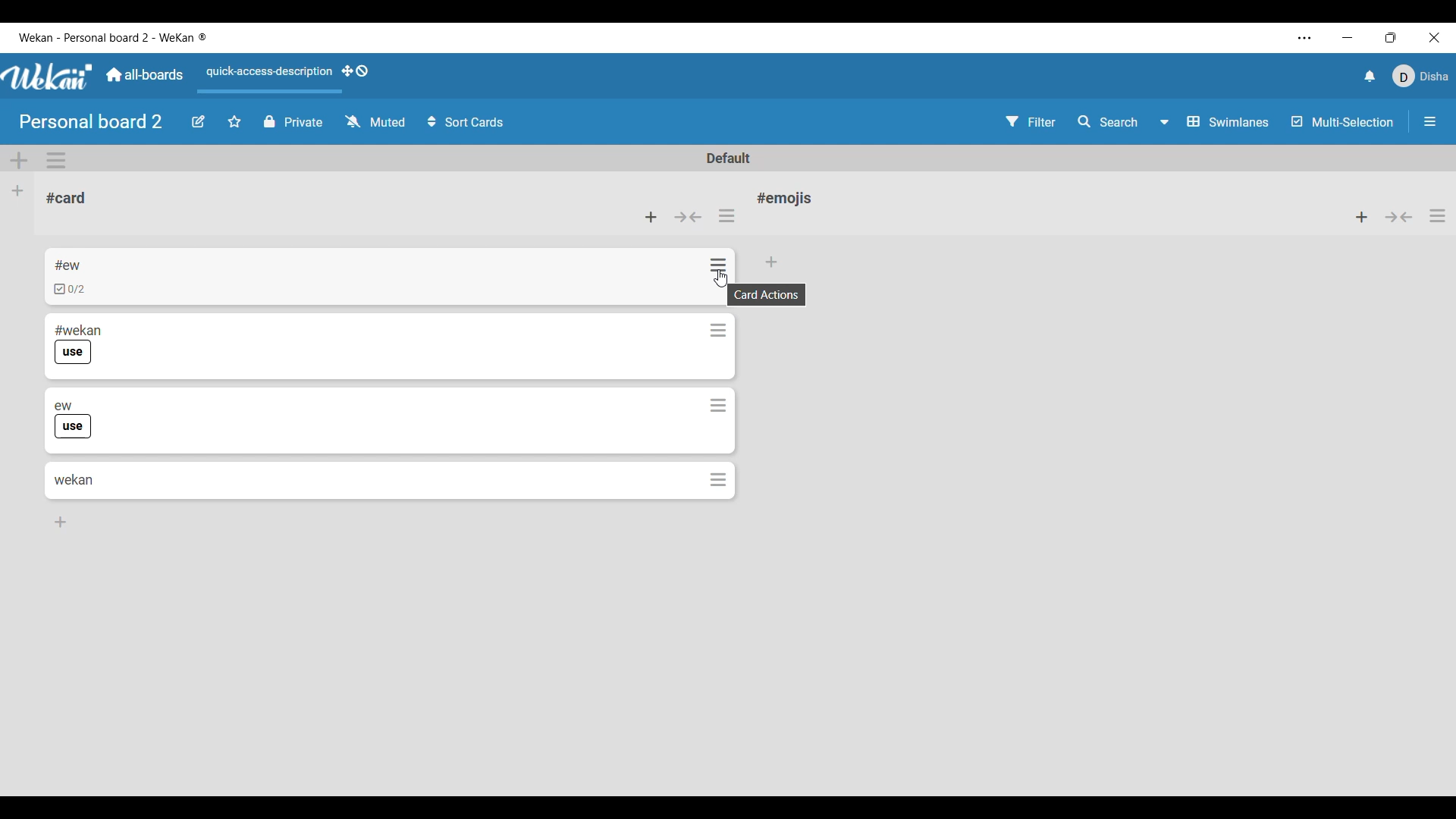 The height and width of the screenshot is (819, 1456). What do you see at coordinates (162, 199) in the screenshot?
I see `Current list` at bounding box center [162, 199].